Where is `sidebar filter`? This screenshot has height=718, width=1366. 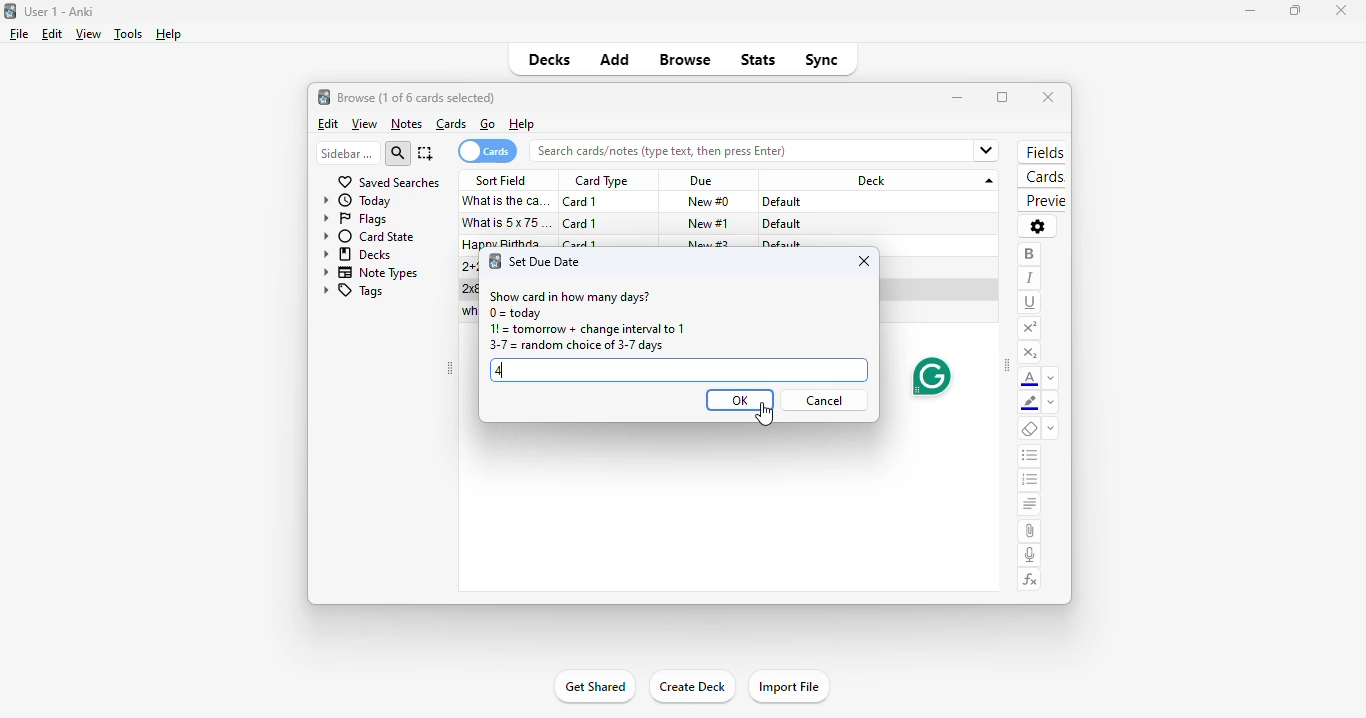
sidebar filter is located at coordinates (347, 153).